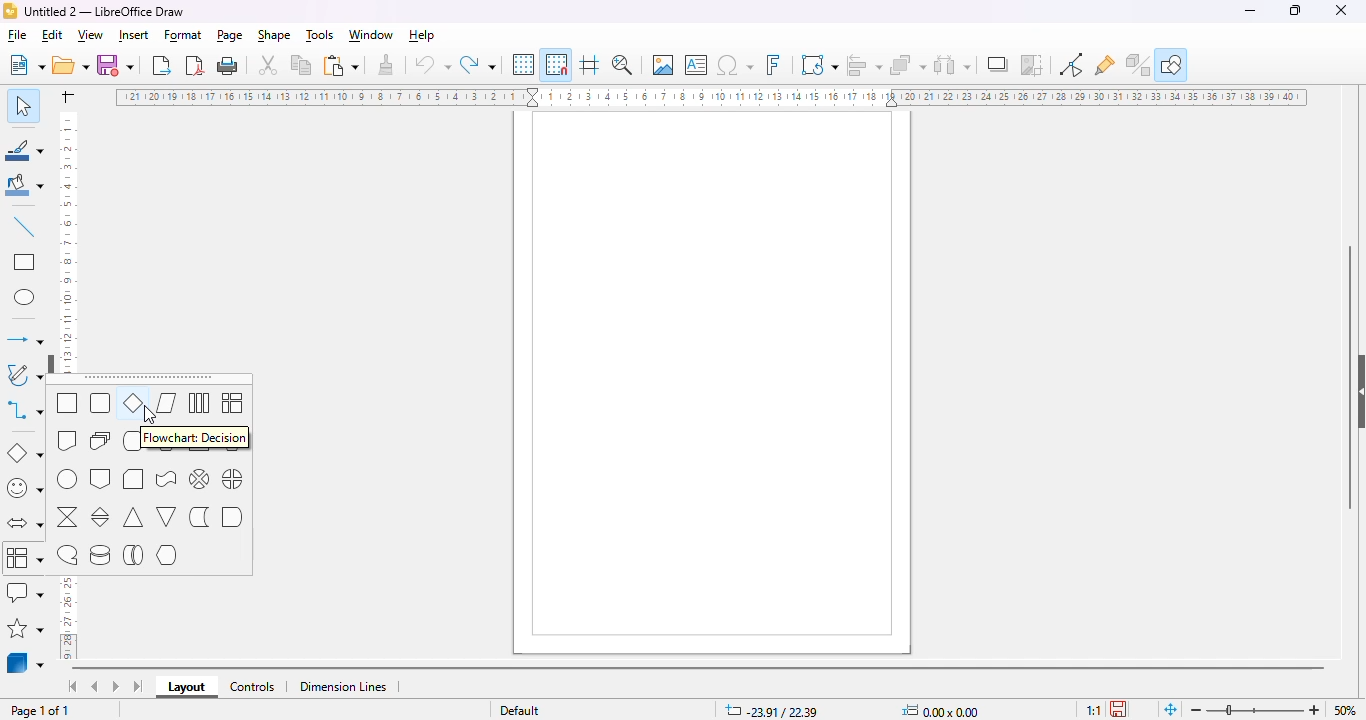 This screenshot has width=1366, height=720. I want to click on insert special characters, so click(735, 65).